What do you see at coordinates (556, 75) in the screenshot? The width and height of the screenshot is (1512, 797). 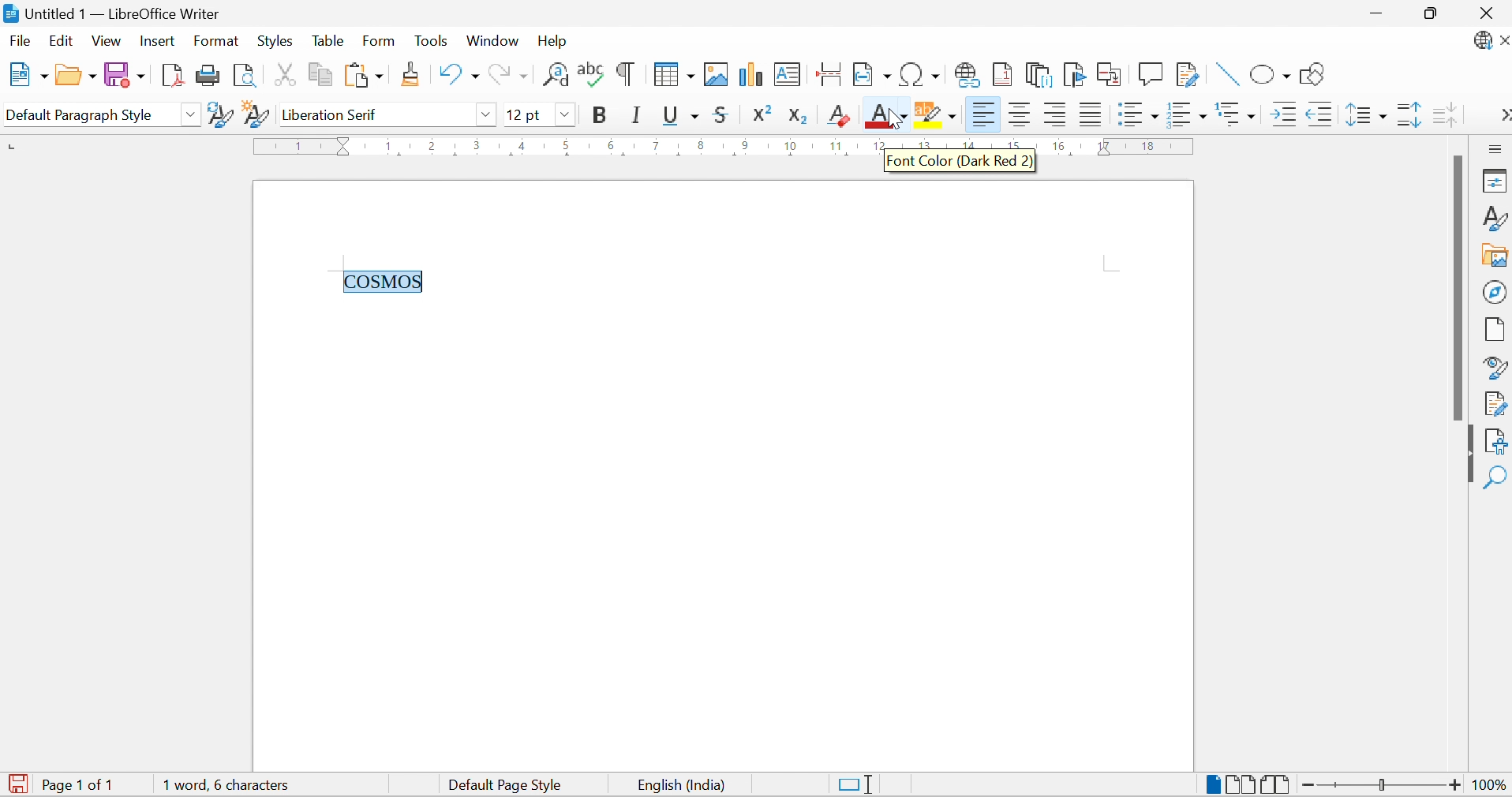 I see `Find and Replace` at bounding box center [556, 75].